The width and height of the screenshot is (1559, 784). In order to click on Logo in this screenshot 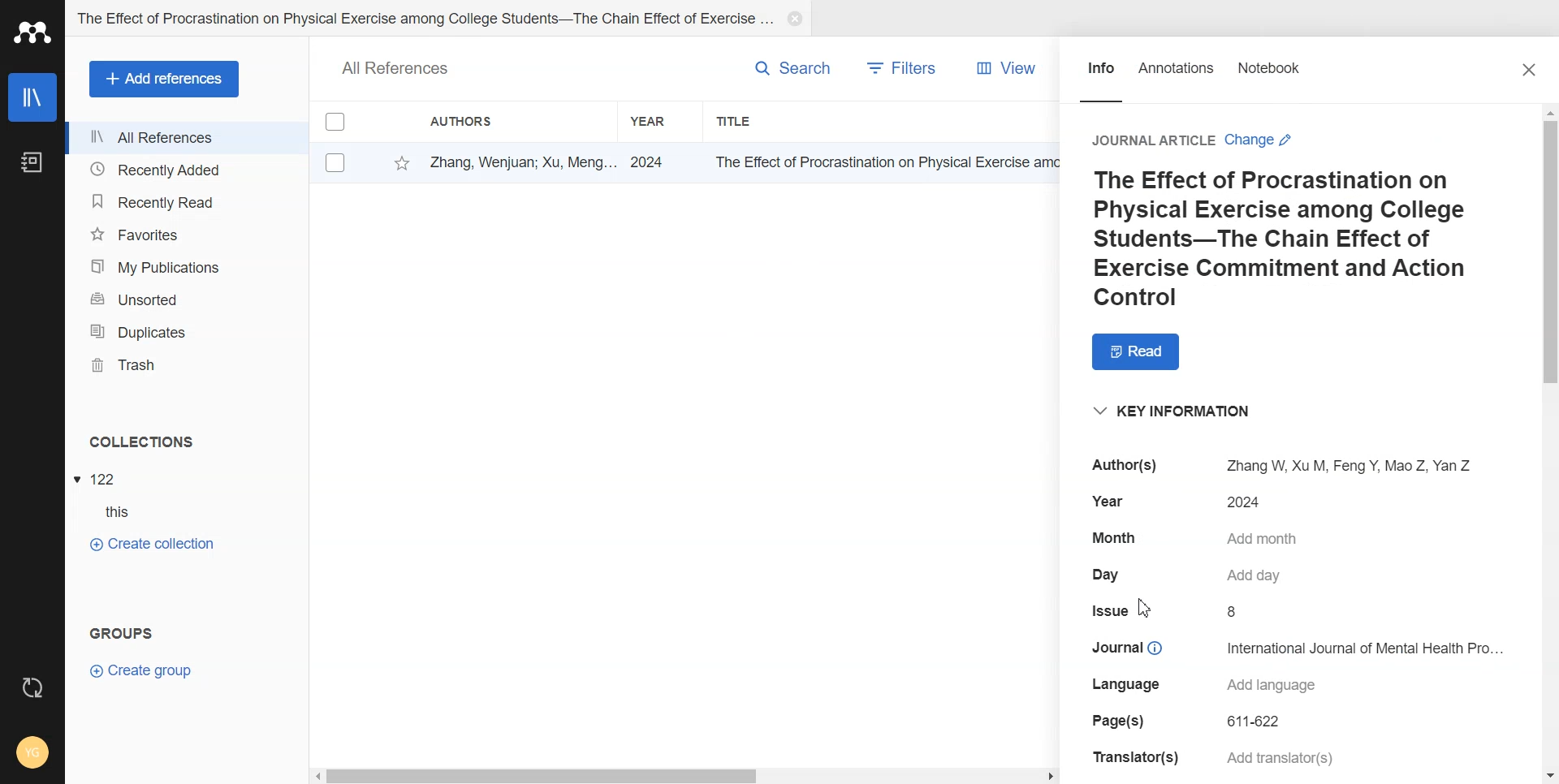, I will do `click(34, 33)`.